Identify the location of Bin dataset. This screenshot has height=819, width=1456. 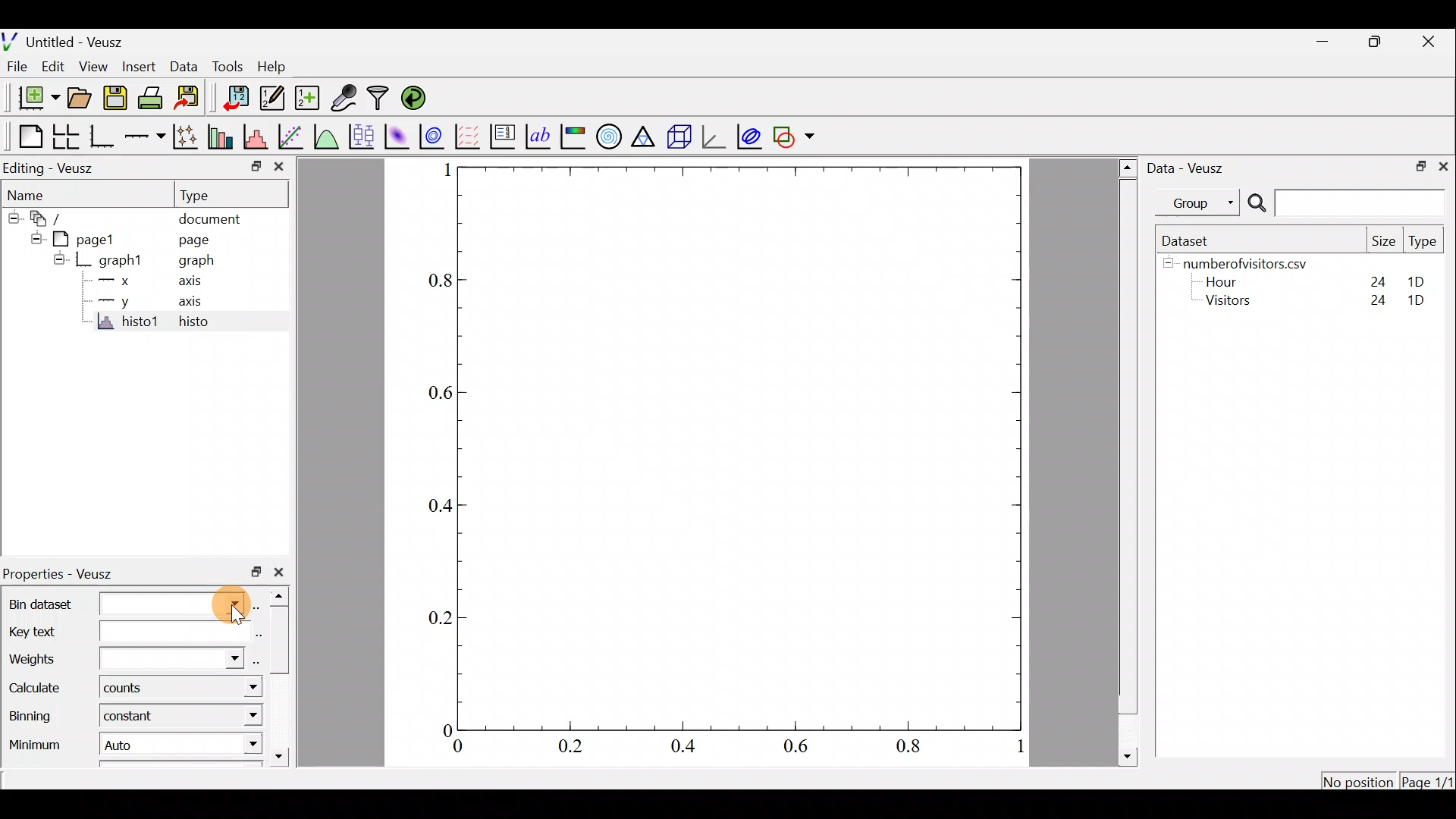
(124, 605).